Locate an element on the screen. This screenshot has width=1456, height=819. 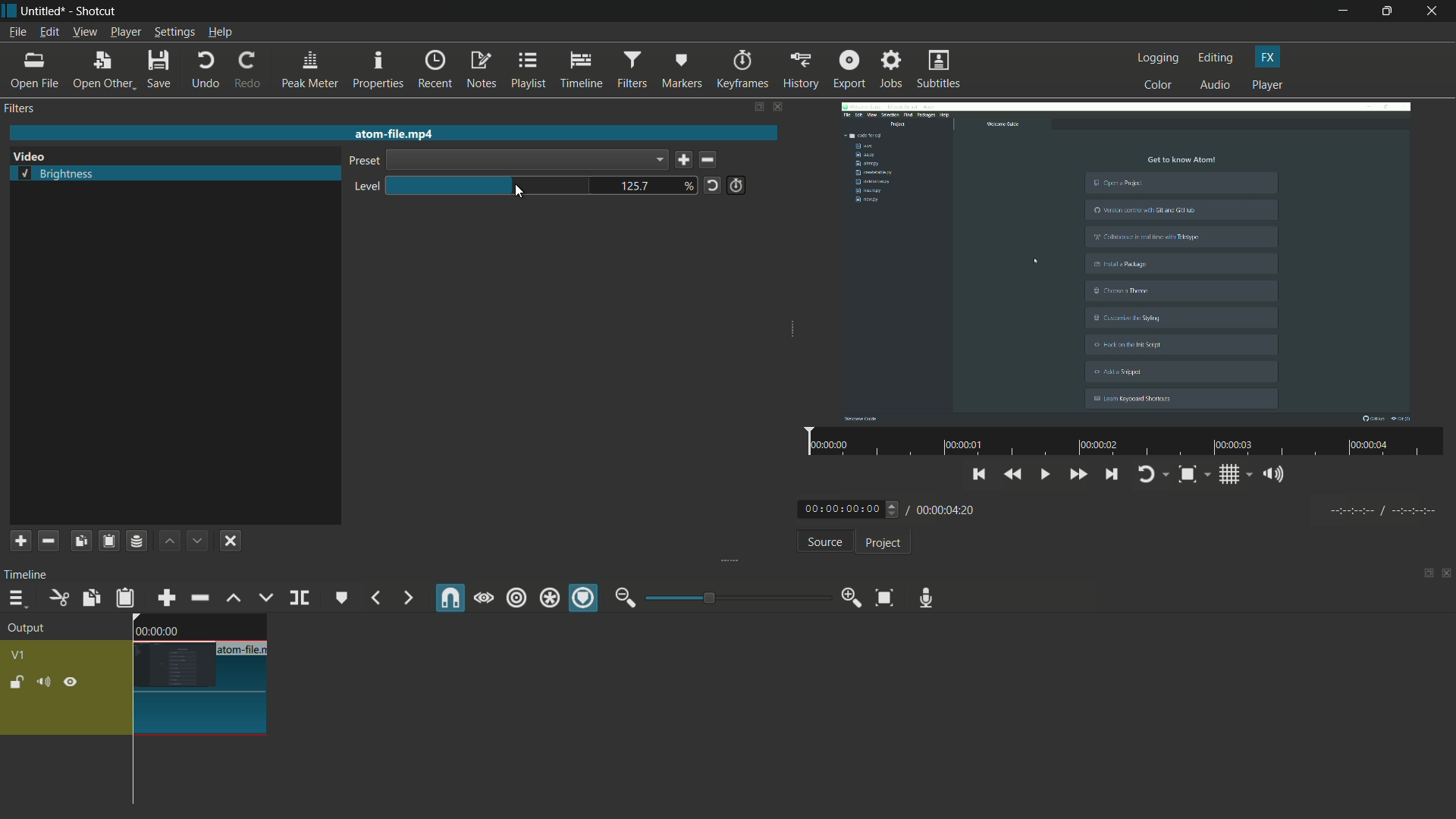
split at playhead is located at coordinates (301, 599).